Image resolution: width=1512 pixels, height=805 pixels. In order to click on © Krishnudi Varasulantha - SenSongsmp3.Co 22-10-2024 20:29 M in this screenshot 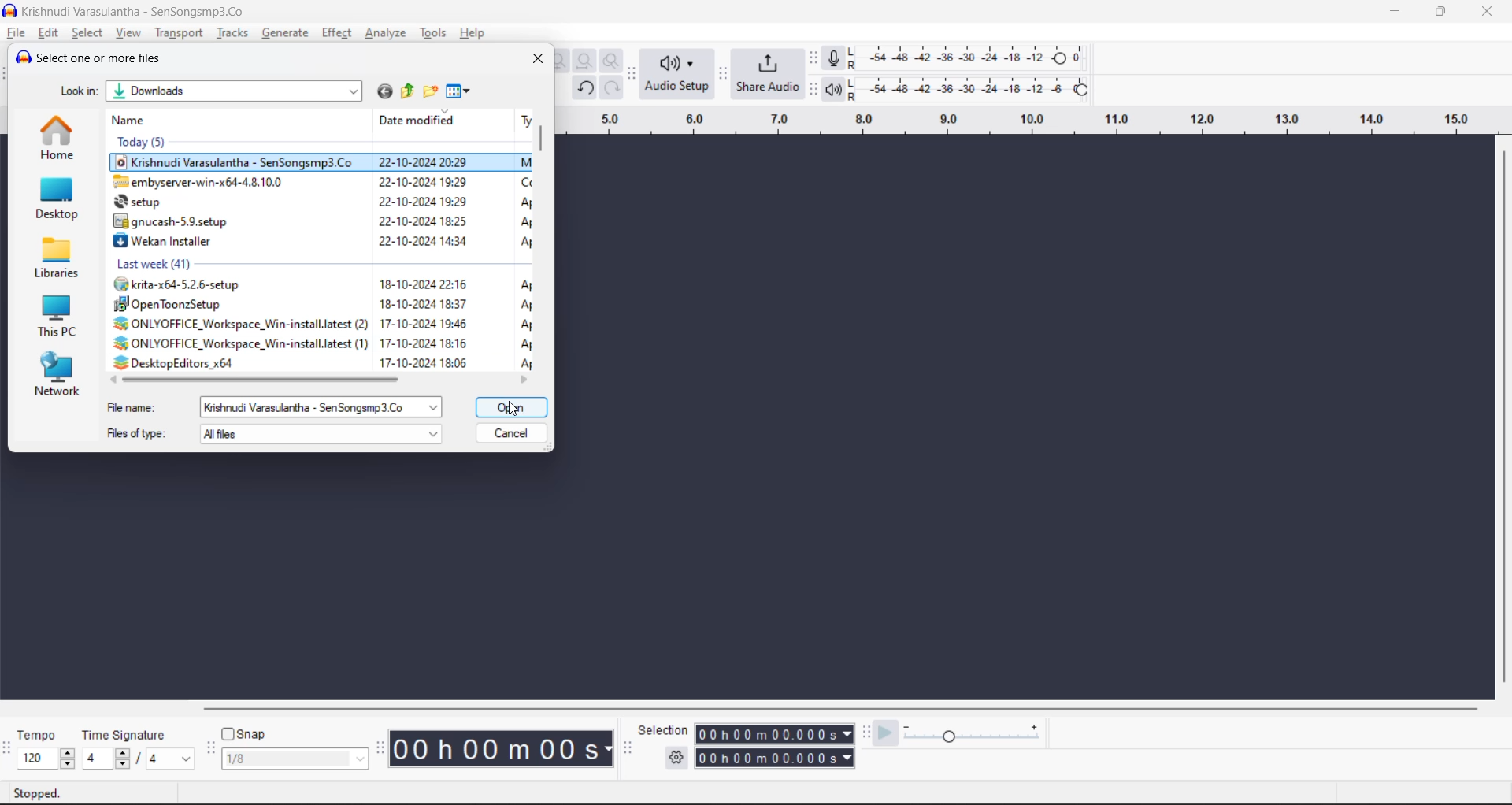, I will do `click(322, 162)`.